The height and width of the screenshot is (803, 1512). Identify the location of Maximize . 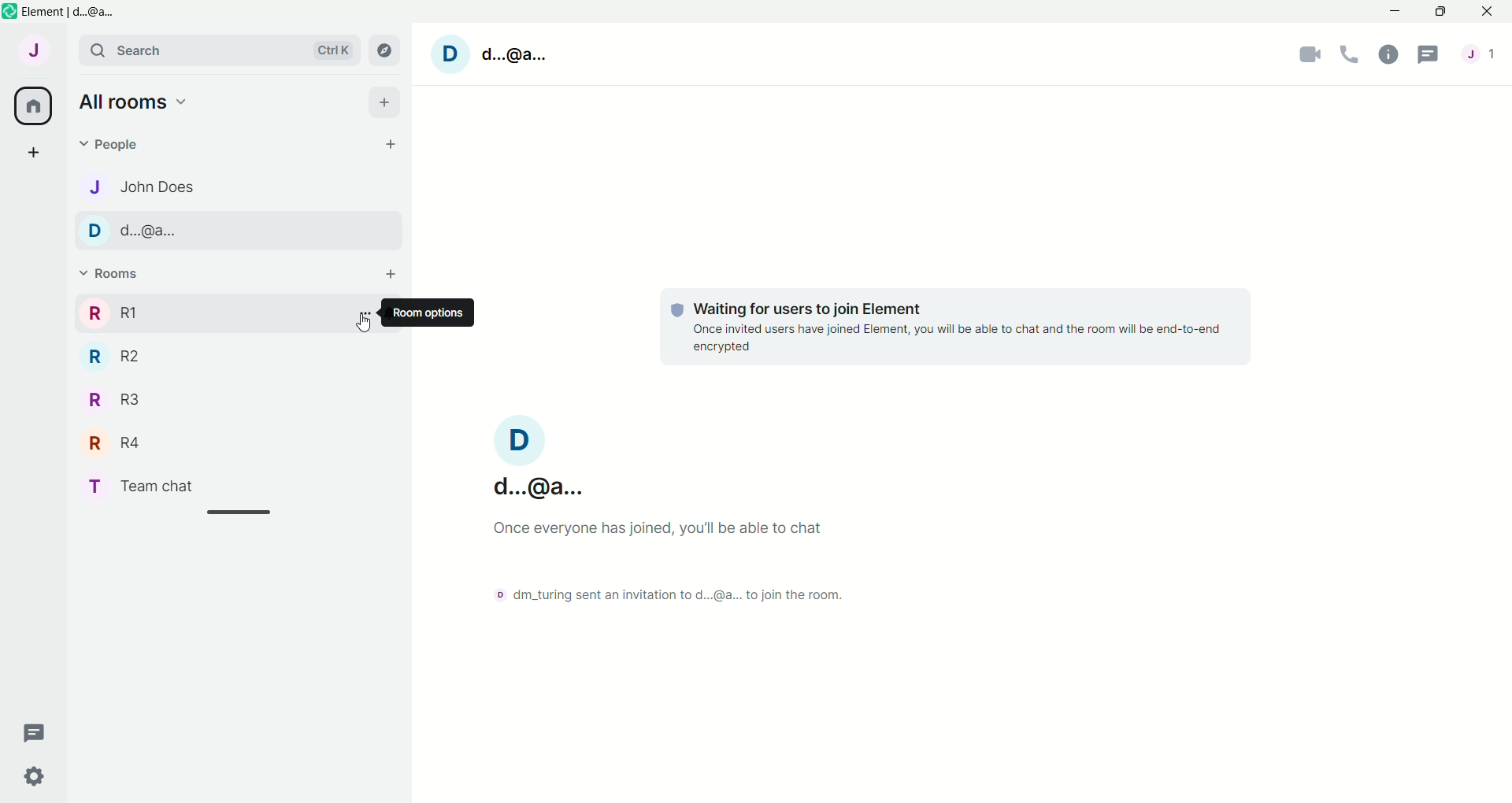
(1438, 13).